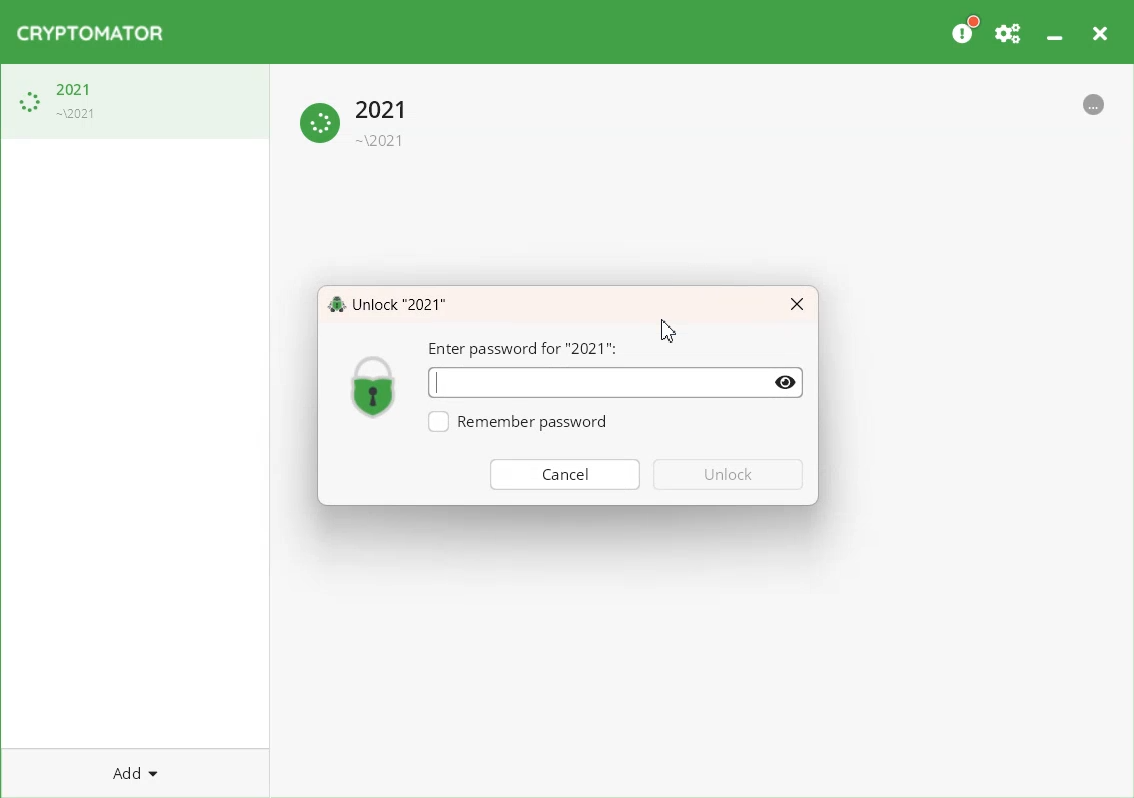 The image size is (1134, 798). Describe the element at coordinates (524, 349) in the screenshot. I see `Enter Password for 2021` at that location.